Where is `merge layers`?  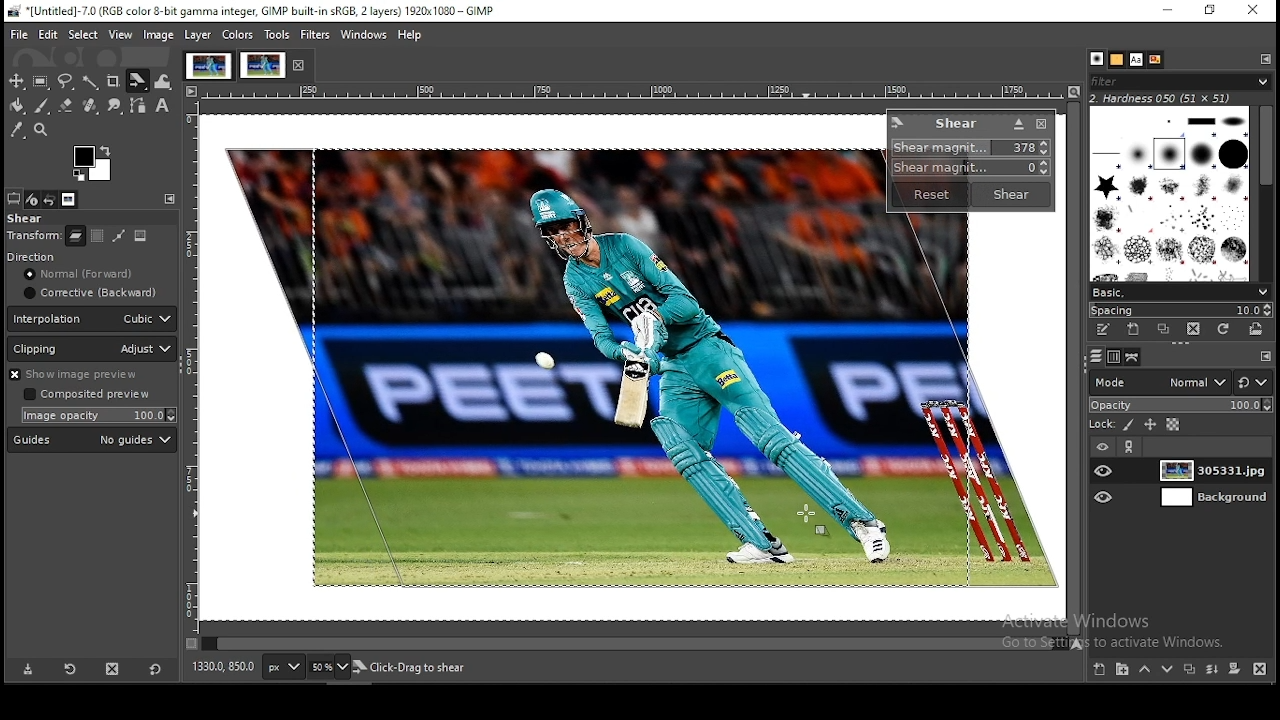
merge layers is located at coordinates (1211, 670).